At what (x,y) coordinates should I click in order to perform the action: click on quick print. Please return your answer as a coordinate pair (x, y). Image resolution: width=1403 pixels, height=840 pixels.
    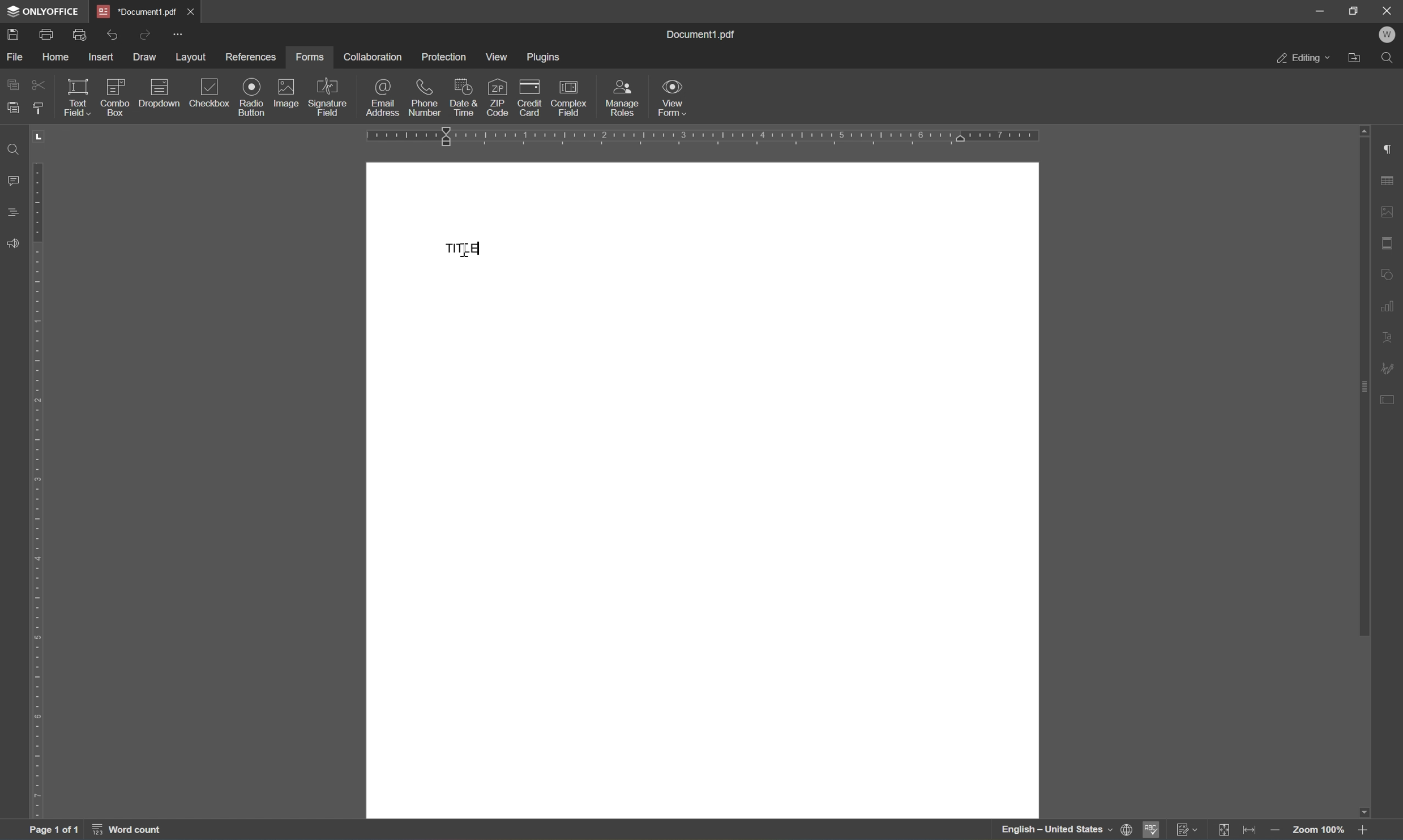
    Looking at the image, I should click on (79, 35).